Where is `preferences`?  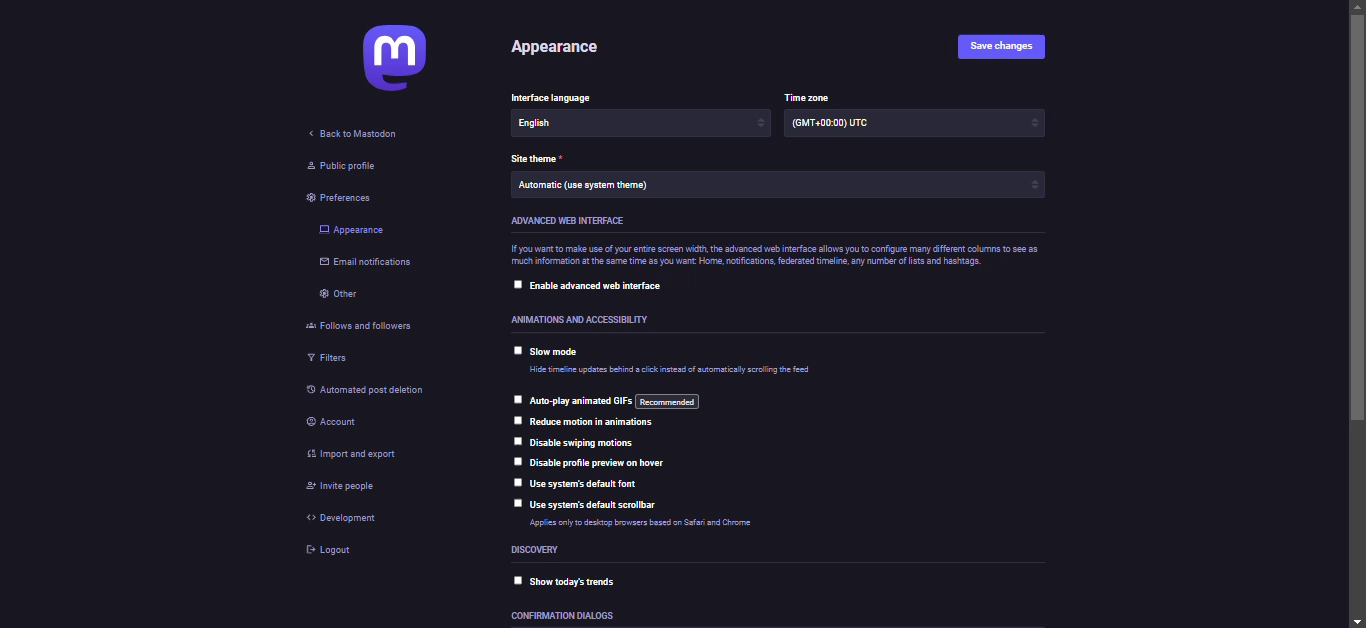
preferences is located at coordinates (345, 198).